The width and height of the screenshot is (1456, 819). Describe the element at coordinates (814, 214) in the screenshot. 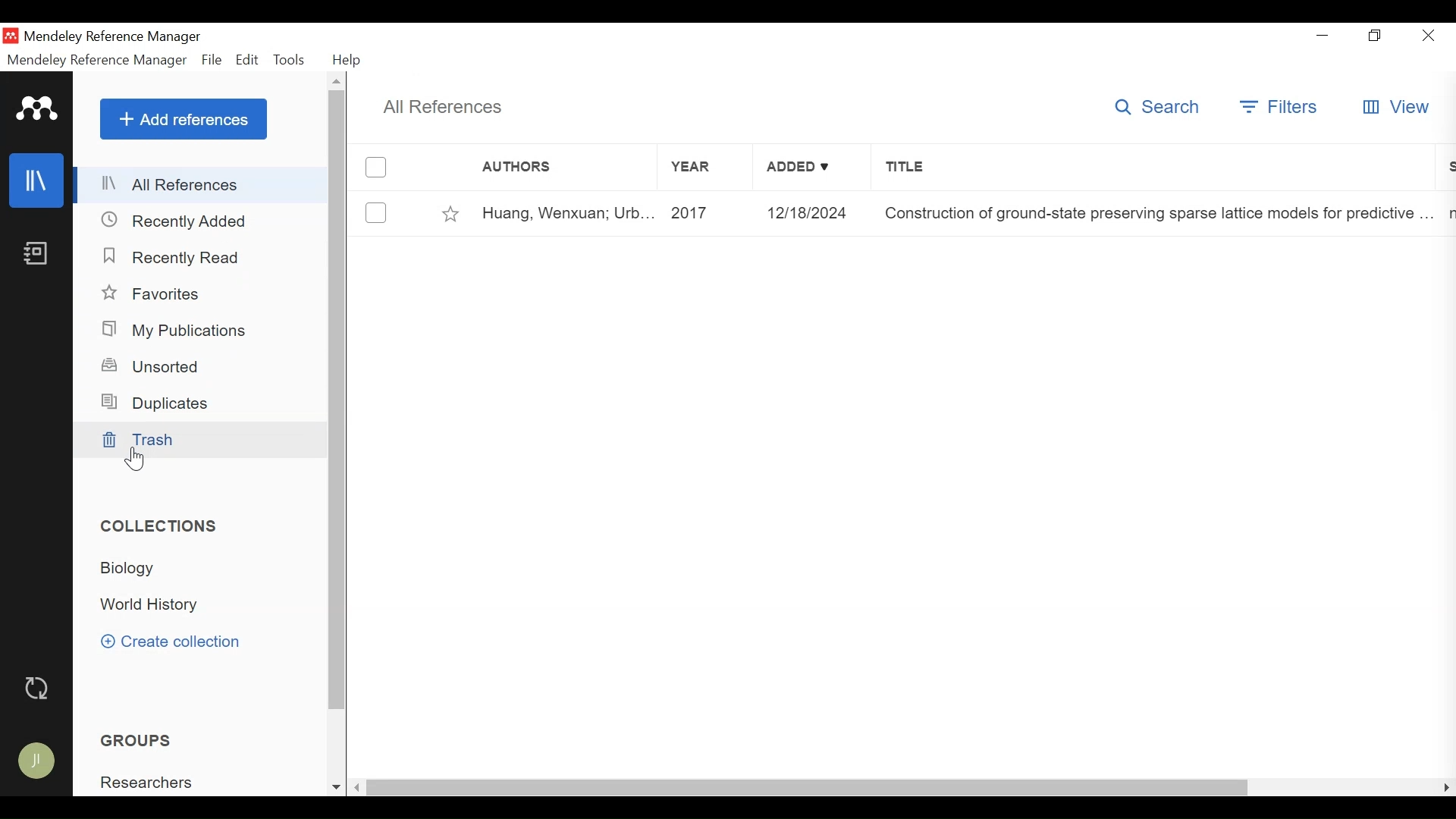

I see `12/18/2024` at that location.